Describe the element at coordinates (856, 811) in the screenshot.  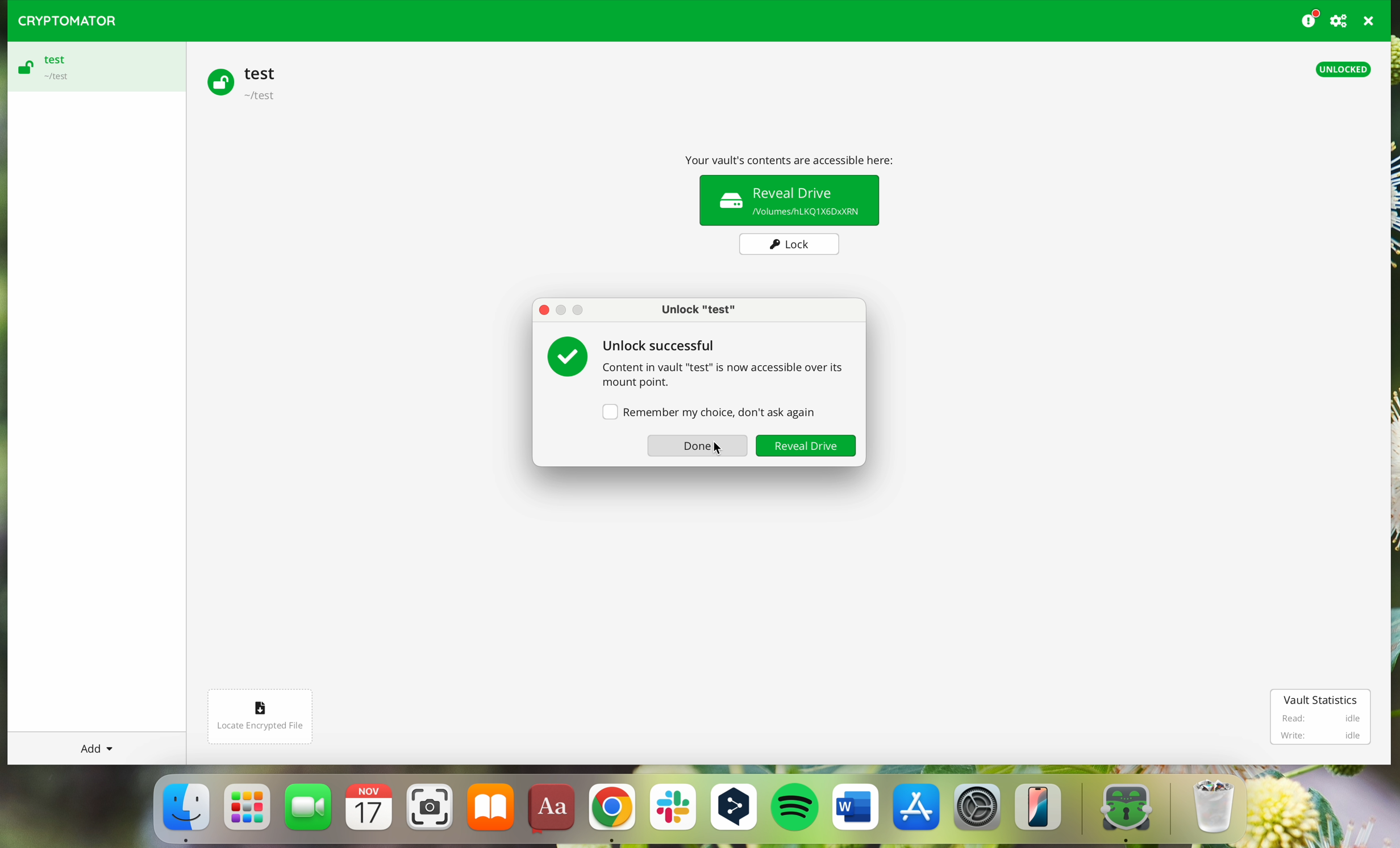
I see `Microsoft Word` at that location.